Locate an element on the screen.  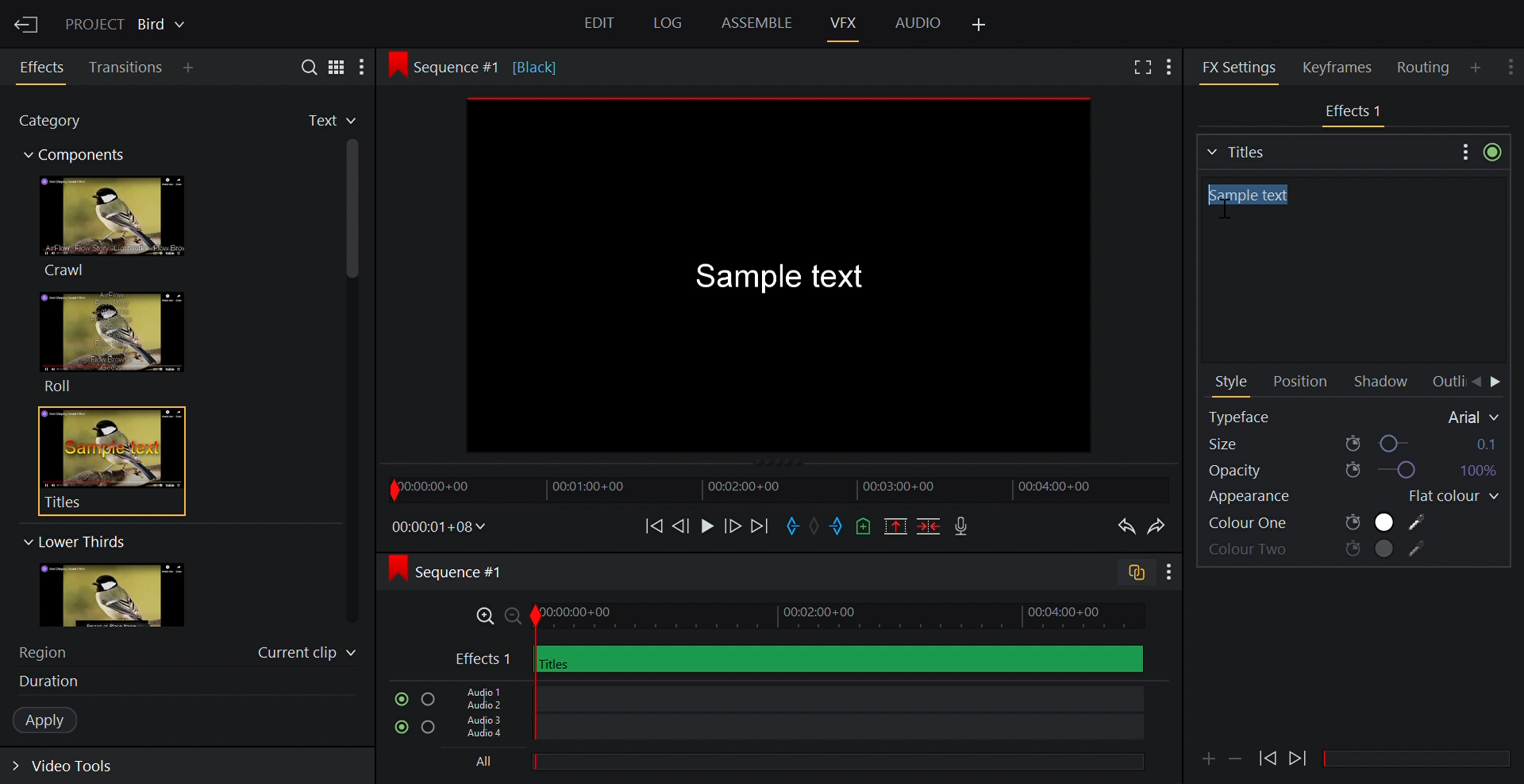
All is located at coordinates (790, 763).